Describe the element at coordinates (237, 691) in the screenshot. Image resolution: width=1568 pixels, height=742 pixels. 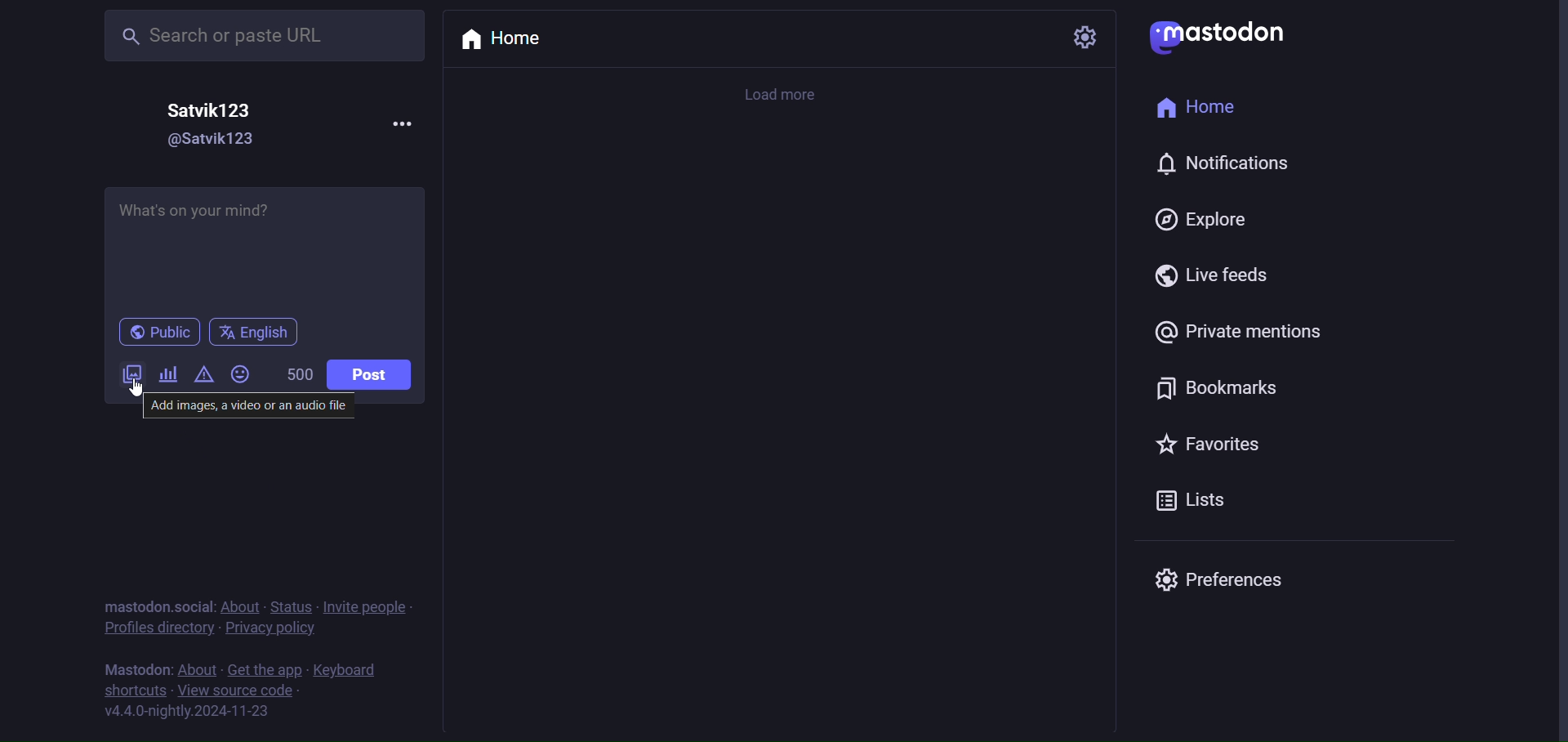
I see `source code` at that location.